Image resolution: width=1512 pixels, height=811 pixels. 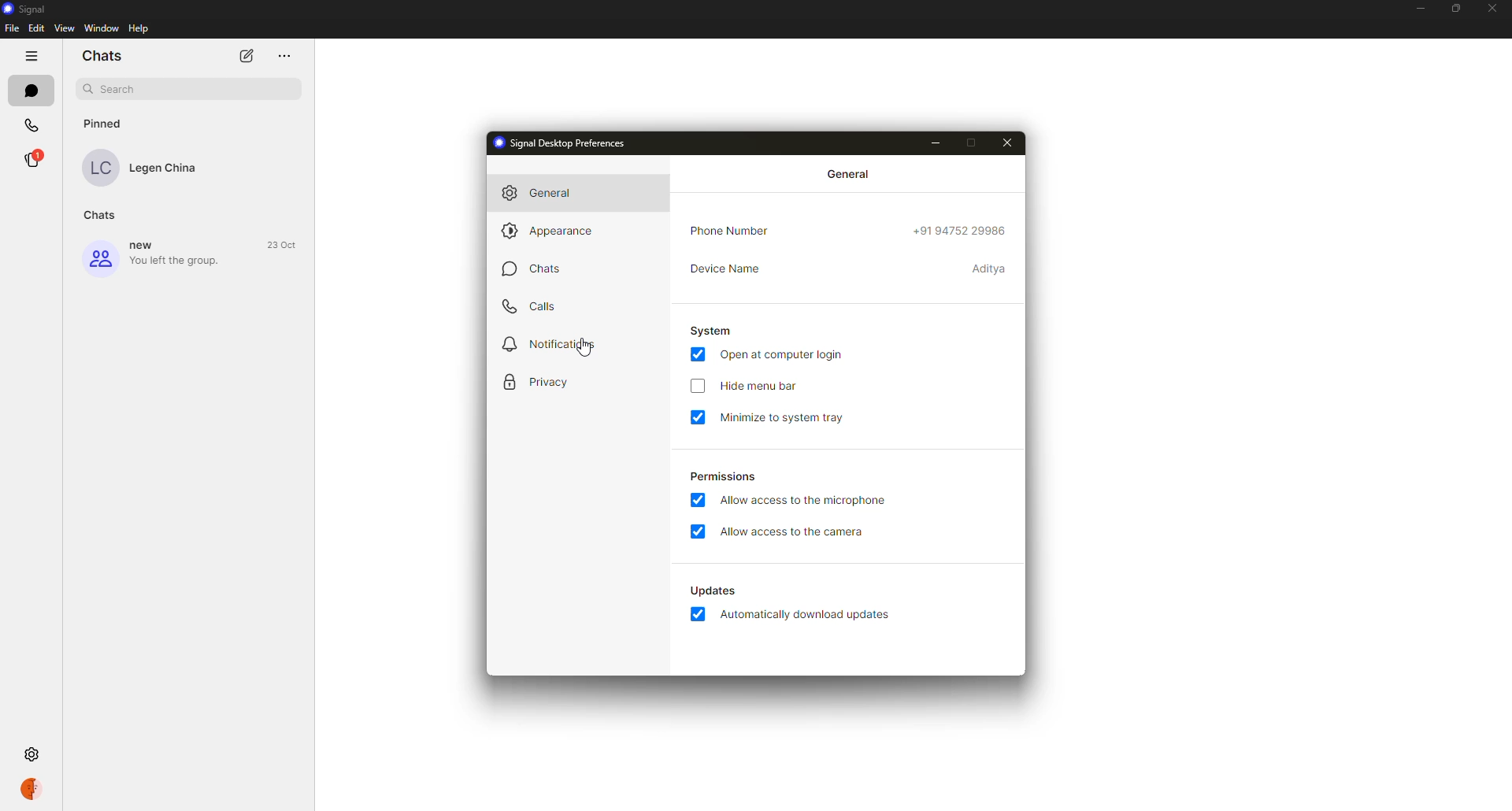 What do you see at coordinates (725, 268) in the screenshot?
I see `device name` at bounding box center [725, 268].